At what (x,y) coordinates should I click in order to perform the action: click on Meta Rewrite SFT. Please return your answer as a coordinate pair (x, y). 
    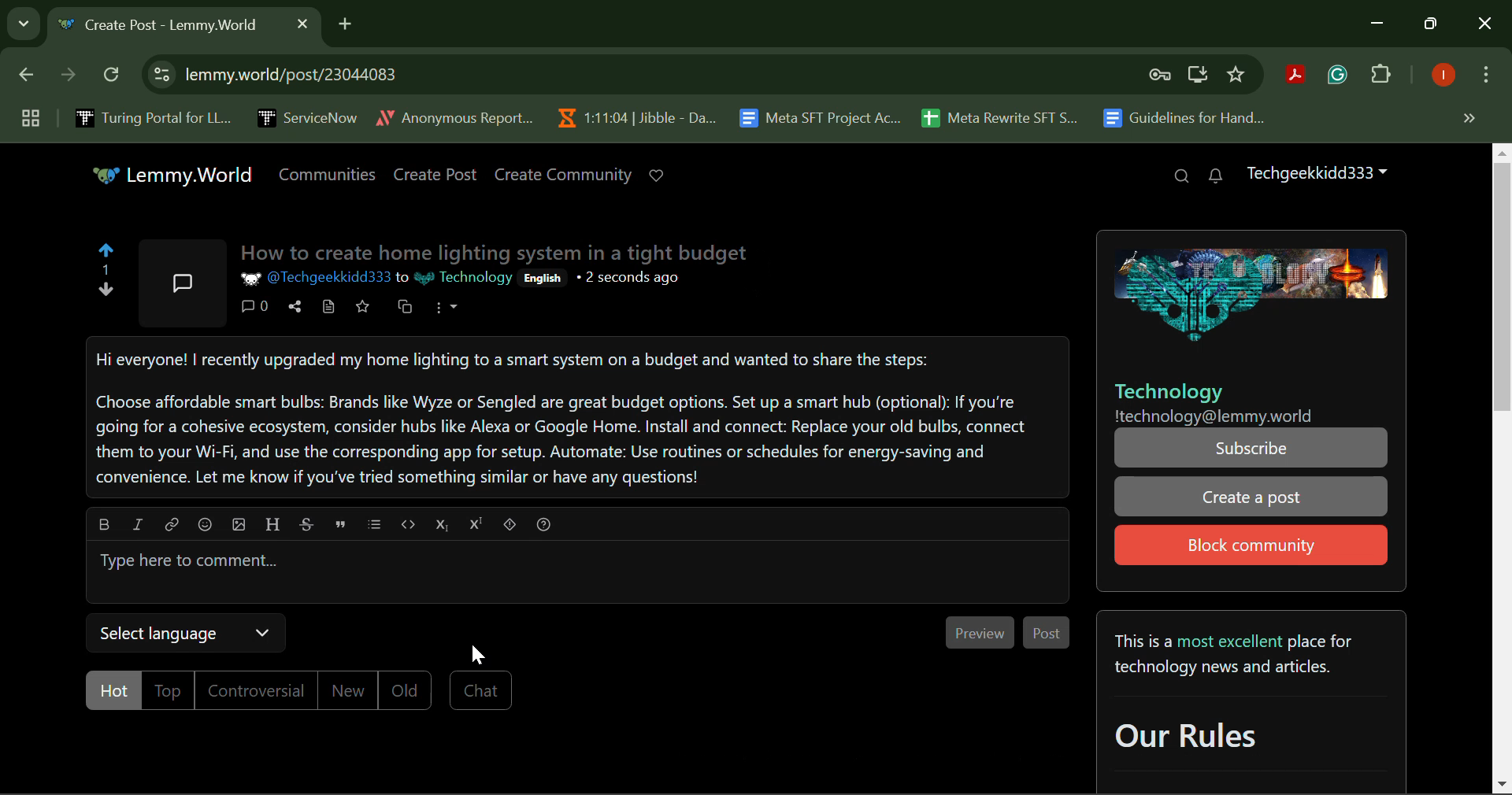
    Looking at the image, I should click on (1006, 116).